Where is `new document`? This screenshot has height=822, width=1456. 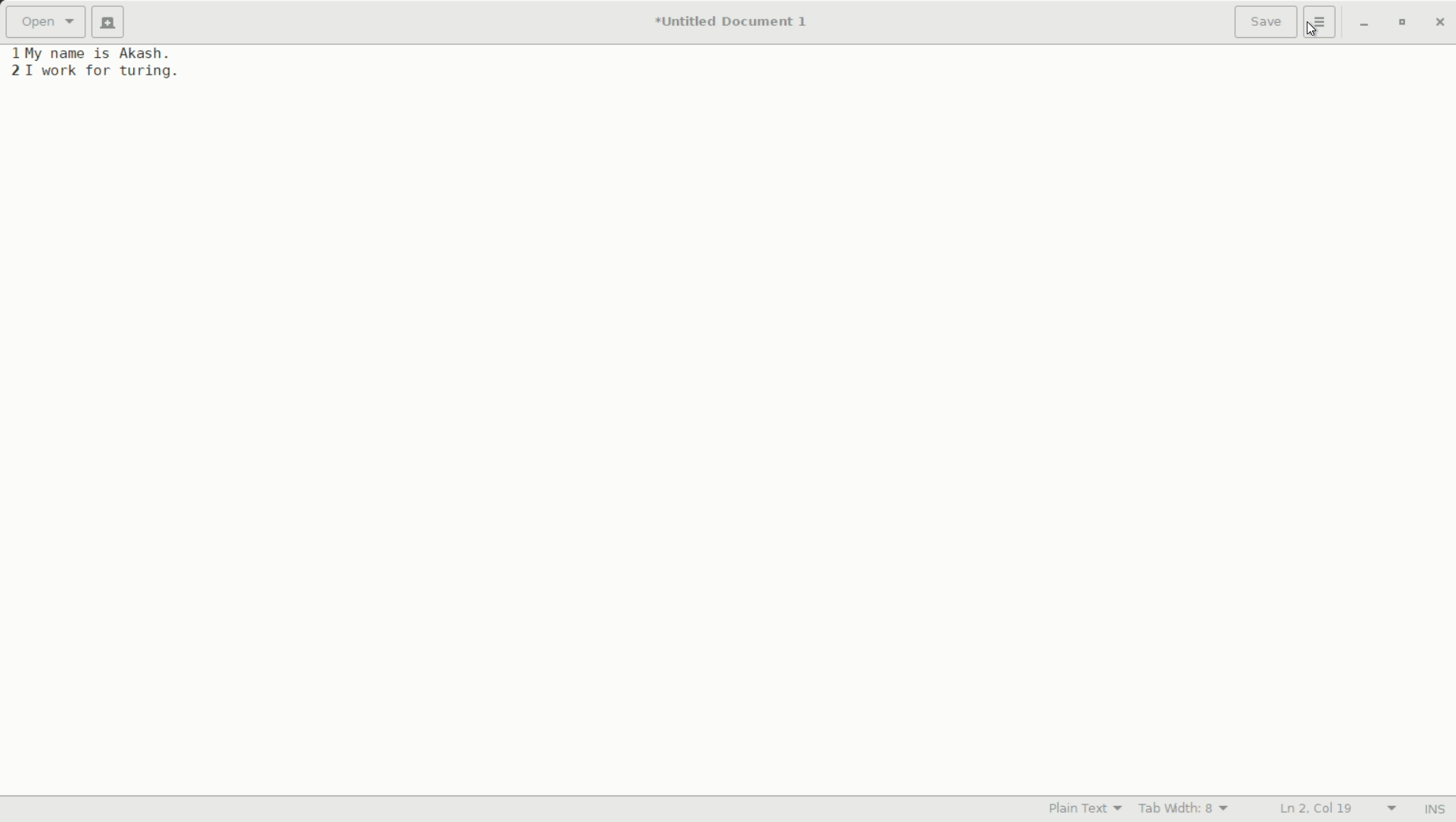 new document is located at coordinates (113, 22).